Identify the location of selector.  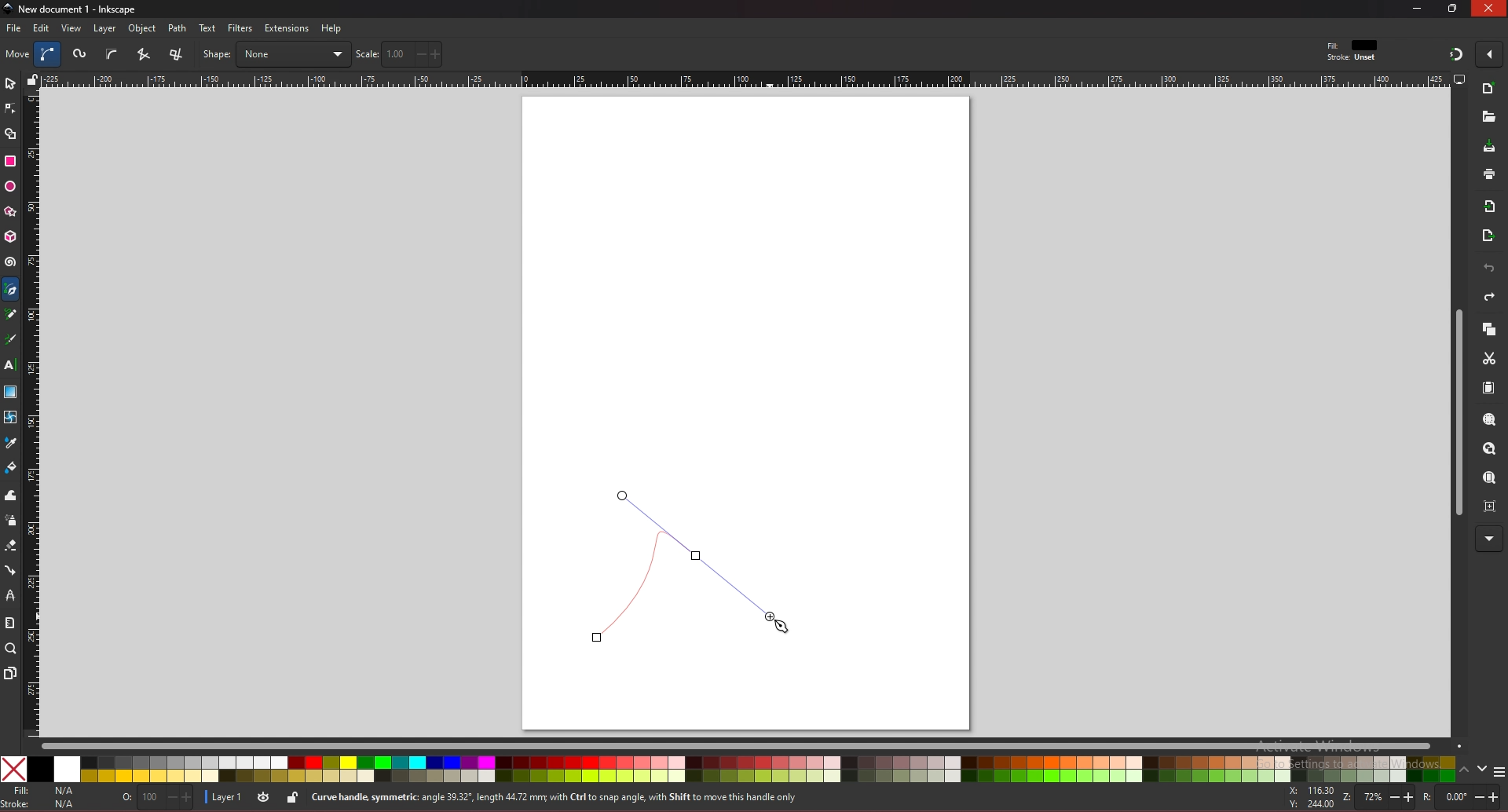
(10, 83).